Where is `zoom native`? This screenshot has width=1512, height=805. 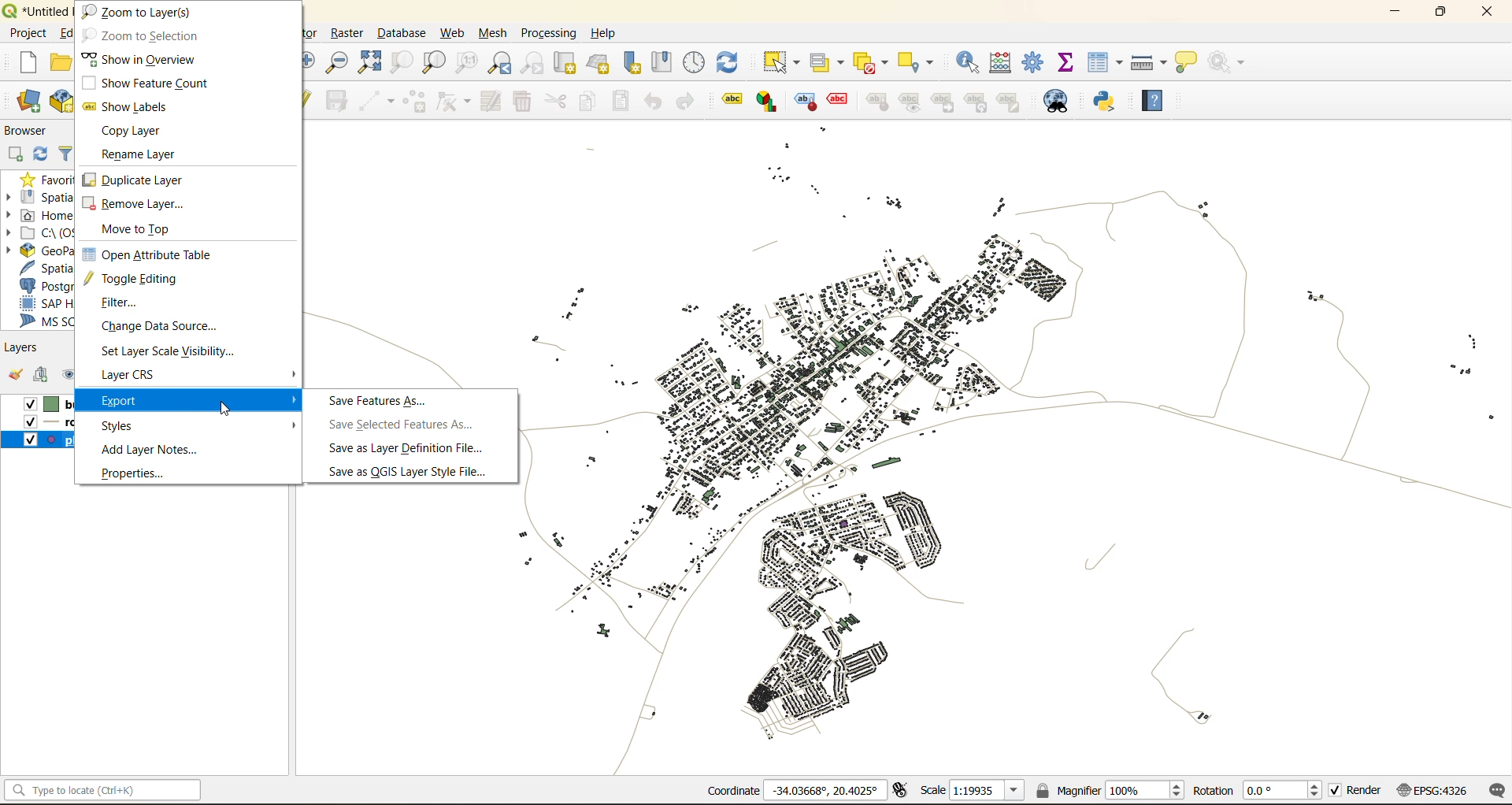
zoom native is located at coordinates (471, 63).